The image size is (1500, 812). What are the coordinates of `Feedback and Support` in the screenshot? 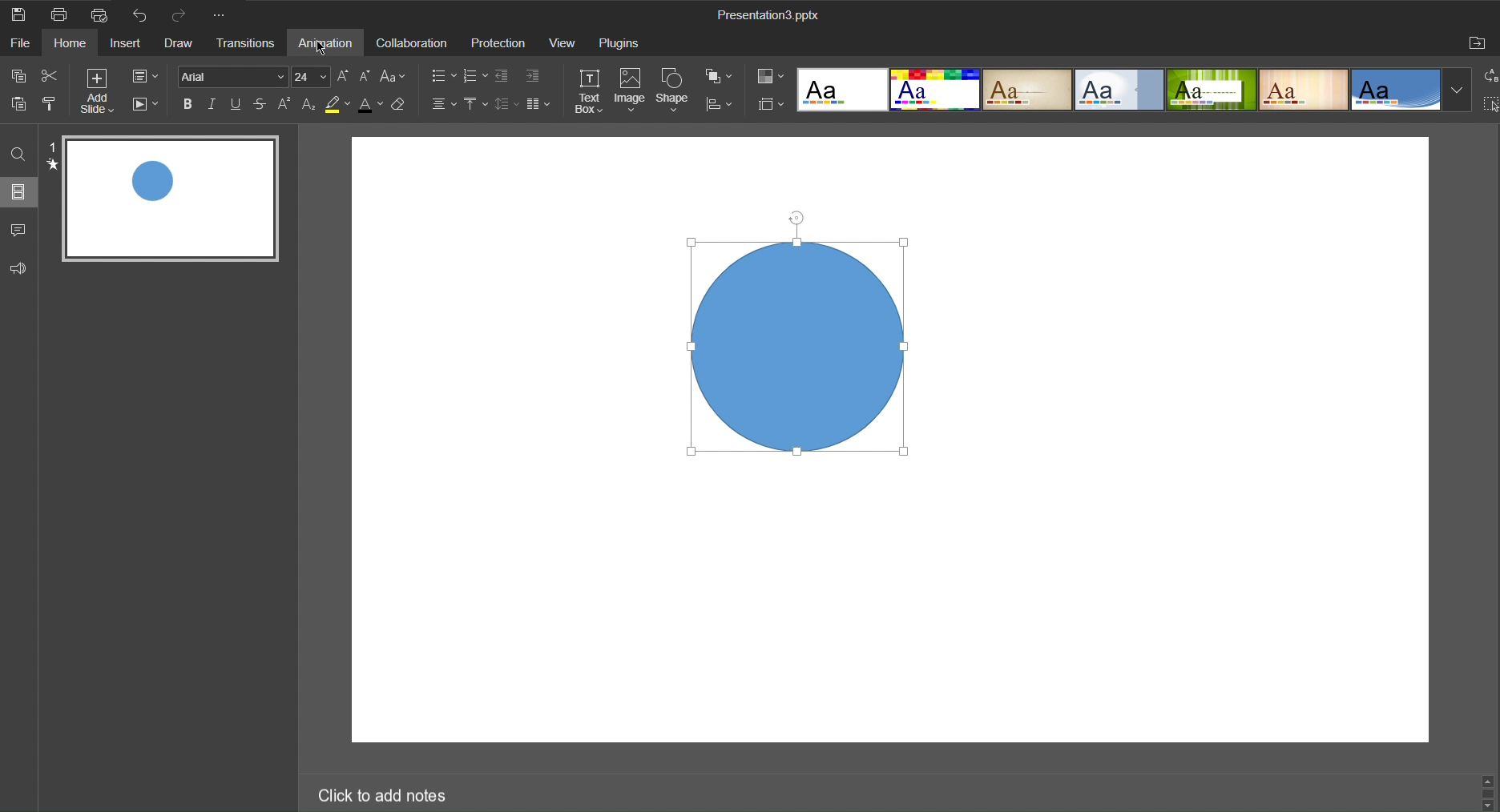 It's located at (18, 265).